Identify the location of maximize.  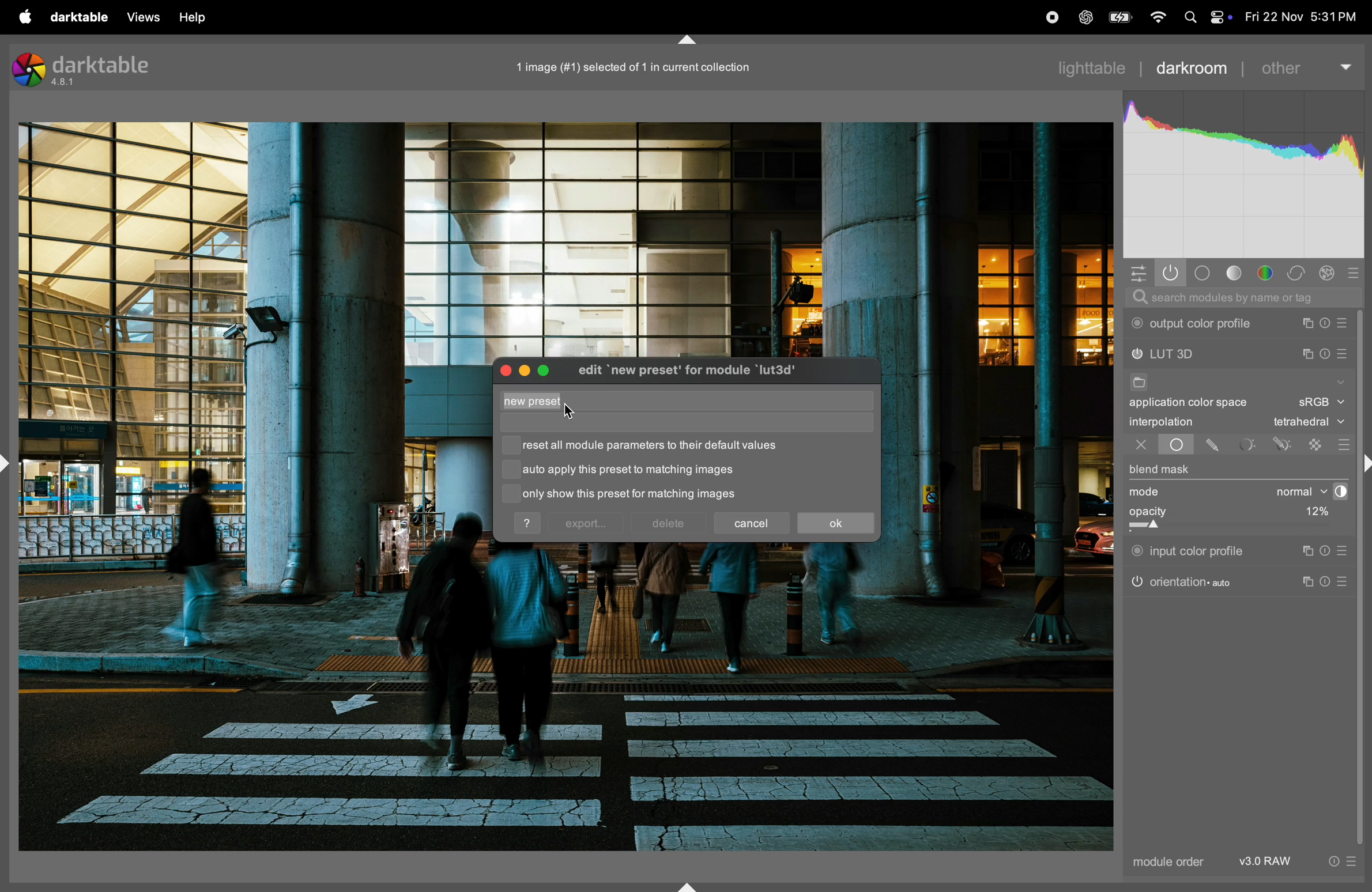
(546, 368).